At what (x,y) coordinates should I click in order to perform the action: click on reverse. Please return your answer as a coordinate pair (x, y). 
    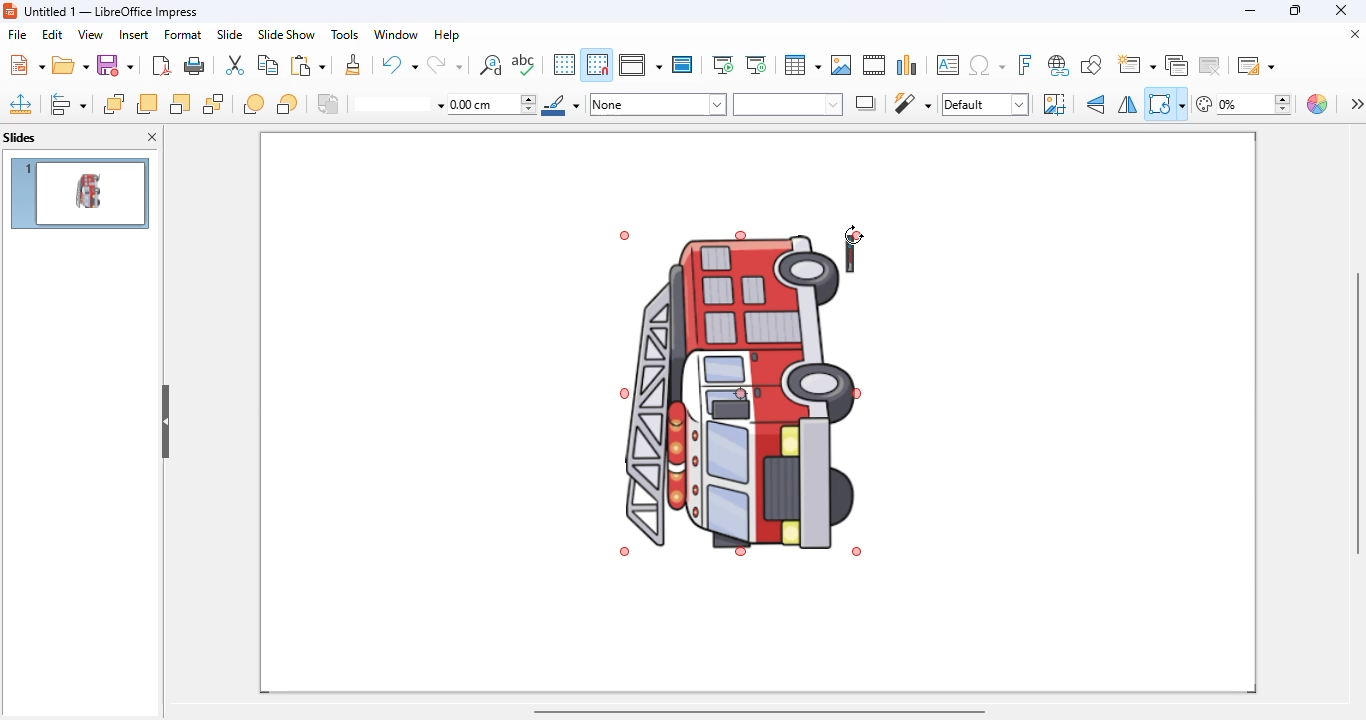
    Looking at the image, I should click on (329, 104).